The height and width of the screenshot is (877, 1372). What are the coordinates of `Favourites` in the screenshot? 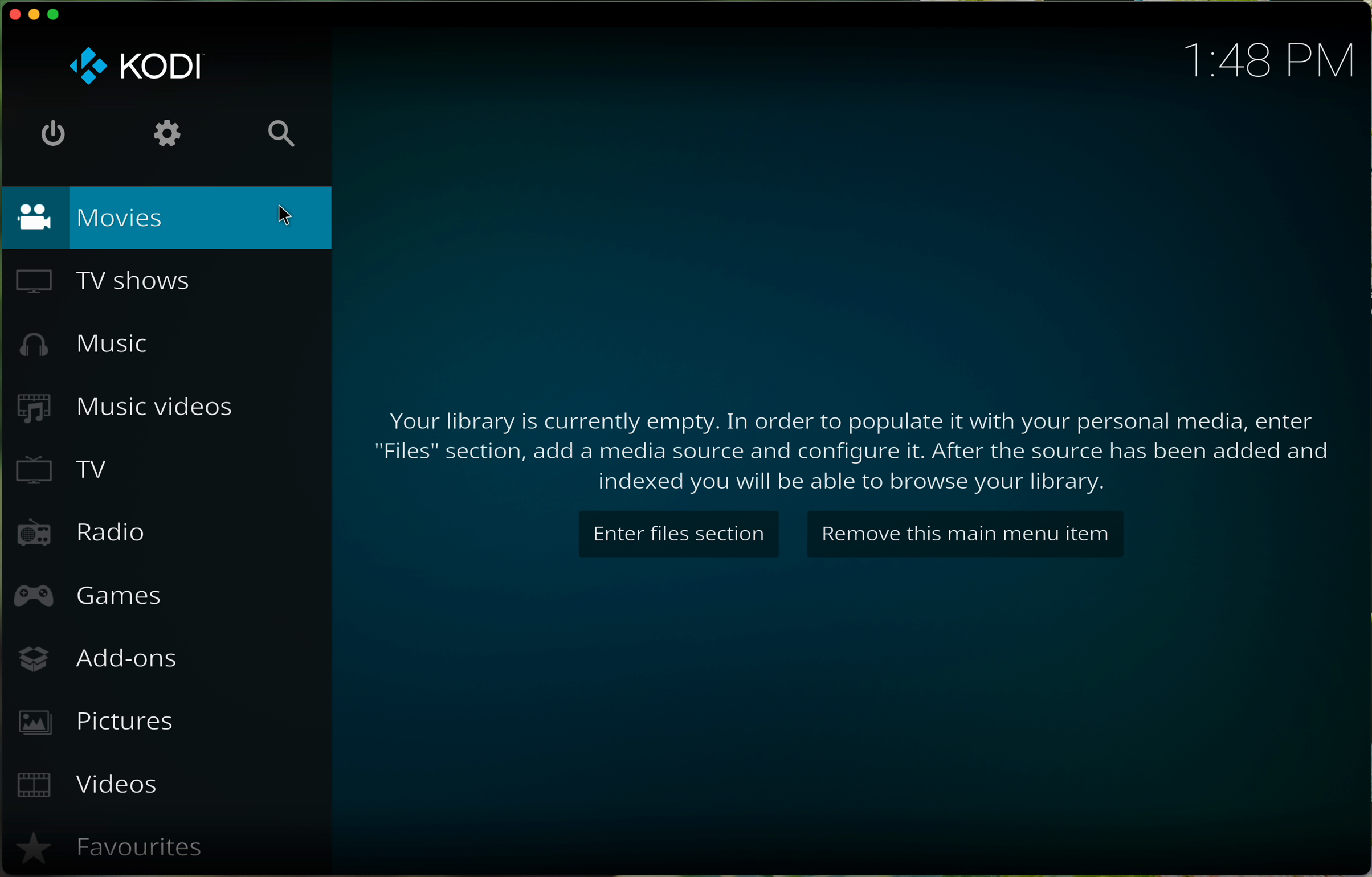 It's located at (149, 847).